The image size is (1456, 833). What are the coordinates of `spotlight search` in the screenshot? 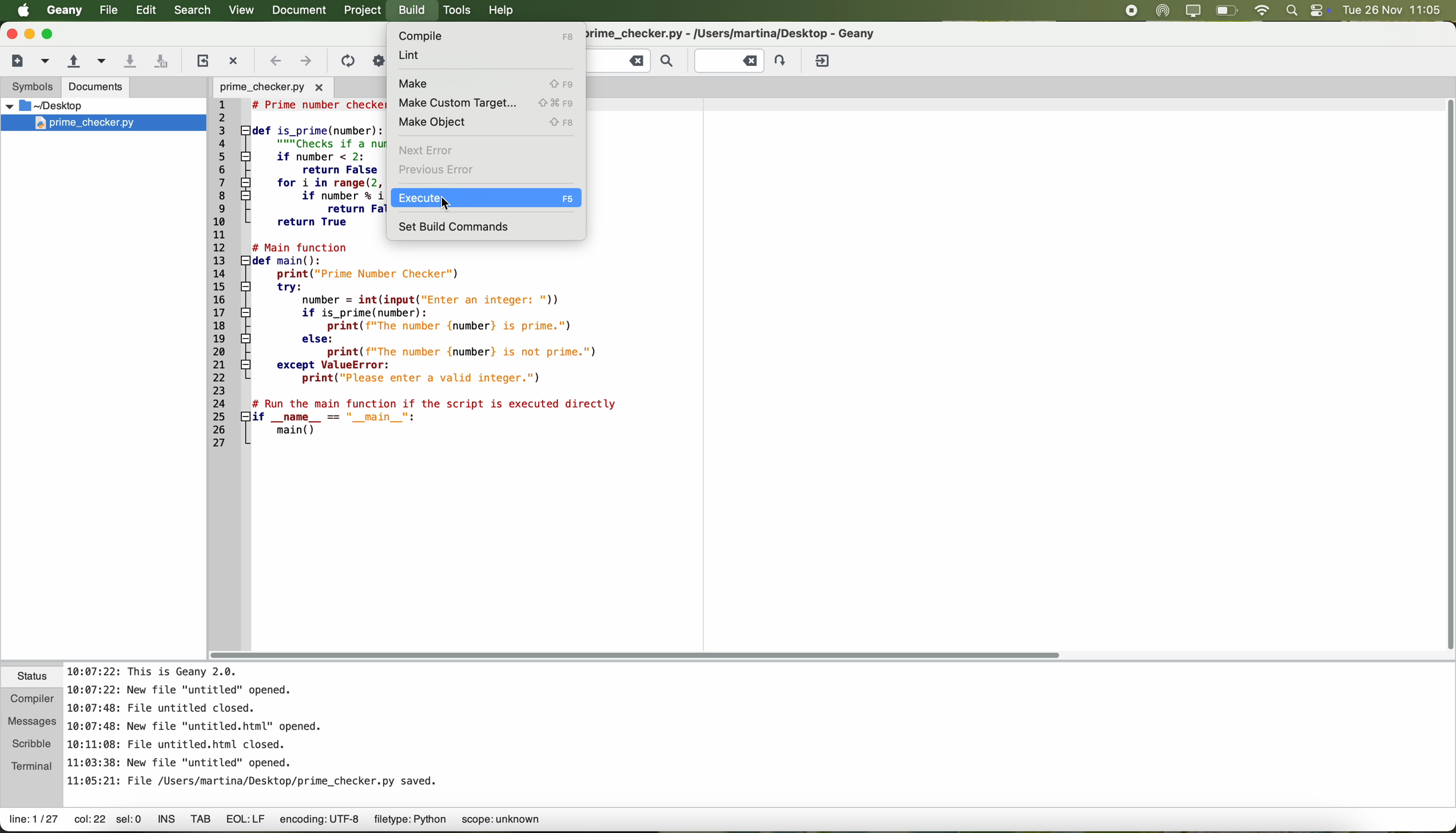 It's located at (1292, 11).